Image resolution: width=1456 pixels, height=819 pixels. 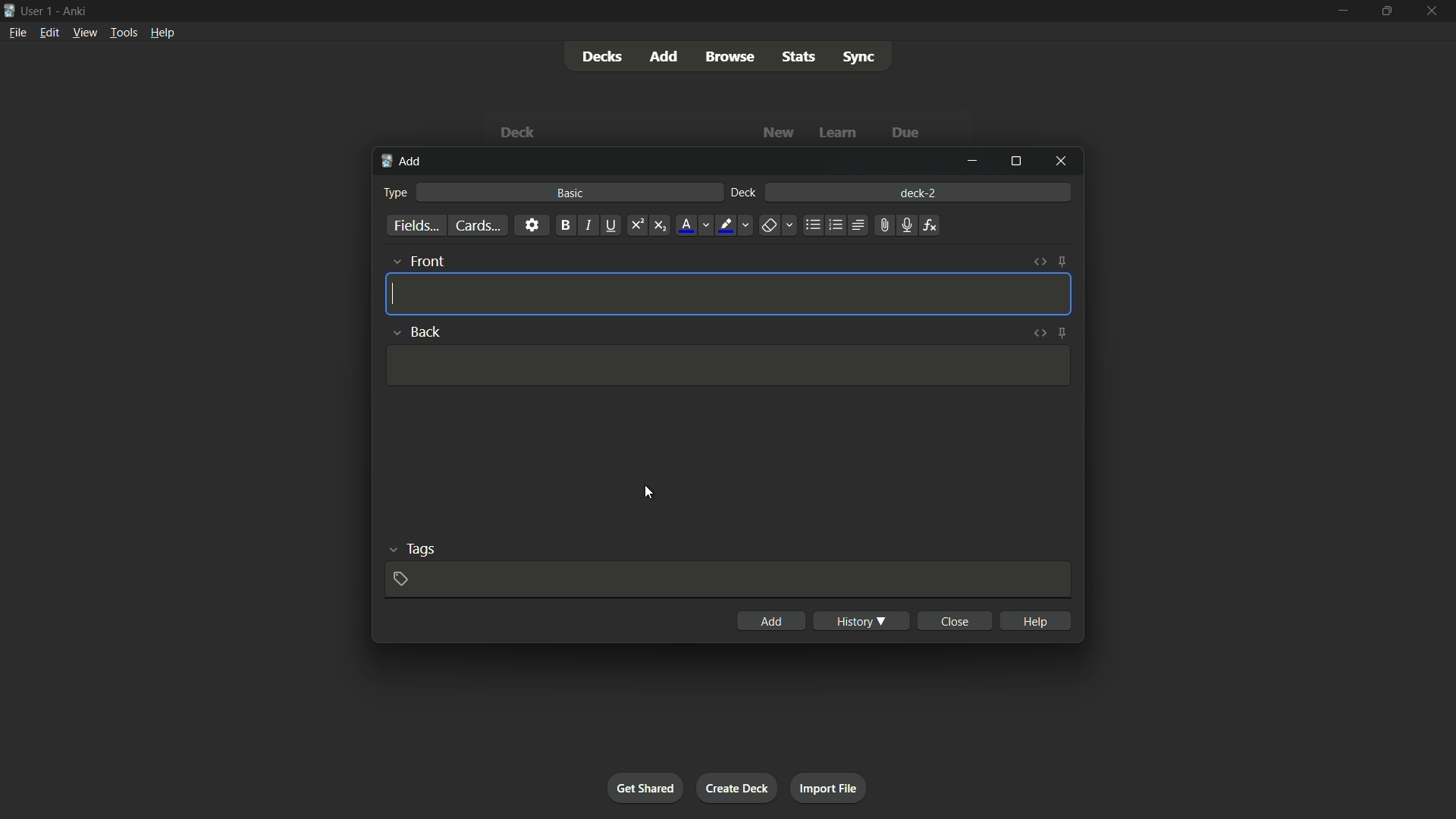 I want to click on history, so click(x=861, y=620).